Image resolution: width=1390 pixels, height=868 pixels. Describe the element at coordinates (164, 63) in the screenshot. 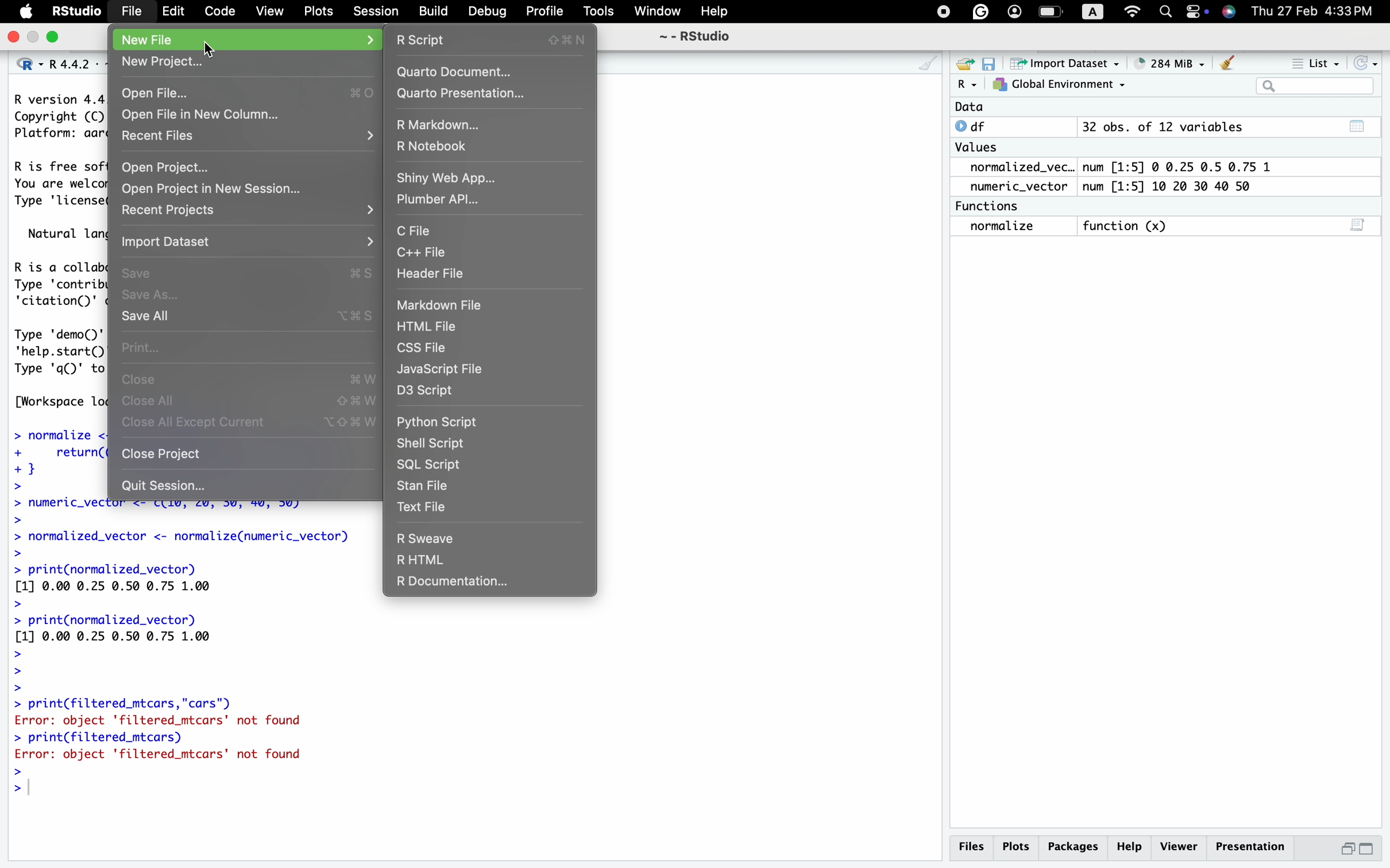

I see `NEW Project... ` at that location.